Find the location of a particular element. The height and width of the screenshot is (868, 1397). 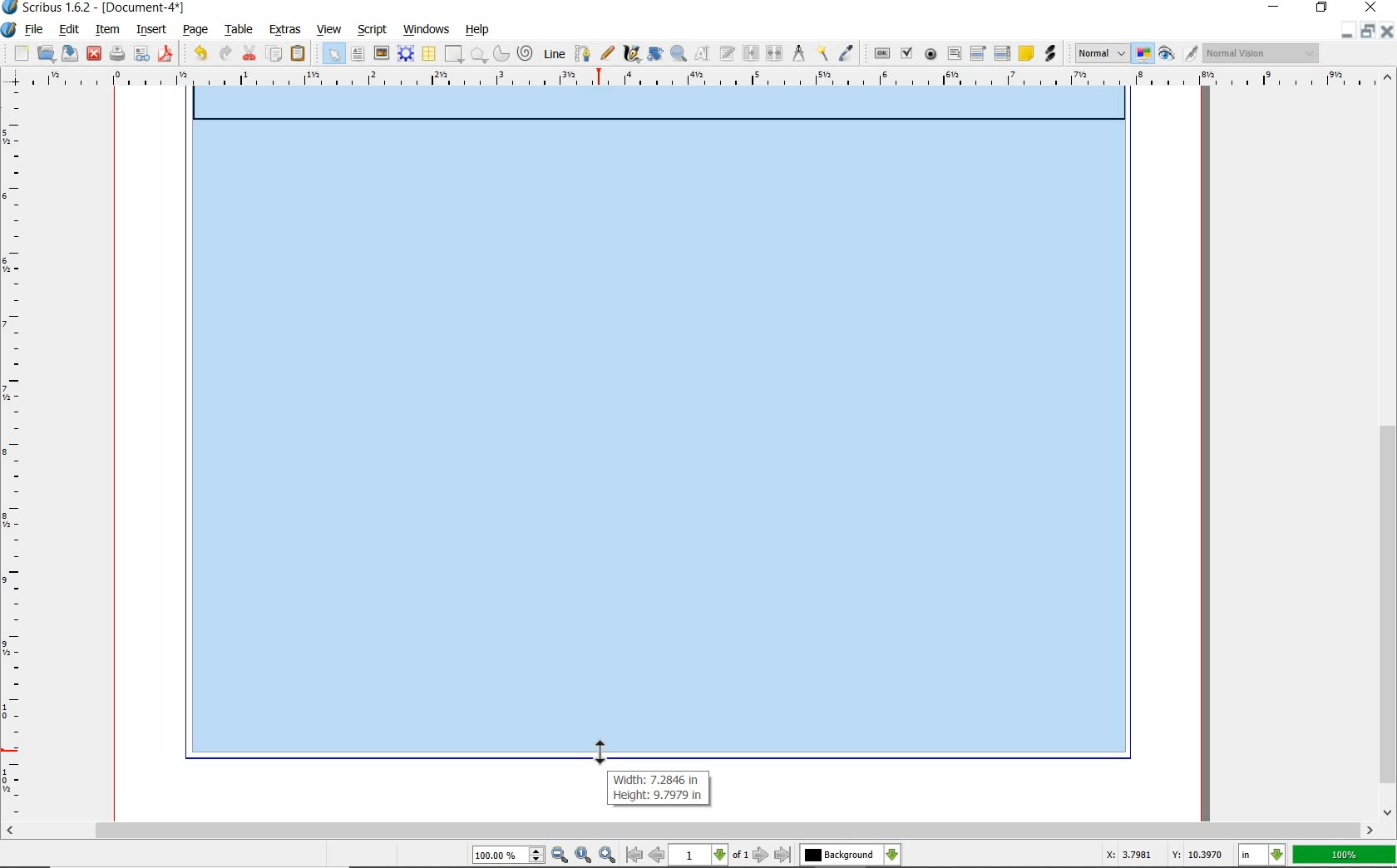

pdf text field is located at coordinates (954, 53).